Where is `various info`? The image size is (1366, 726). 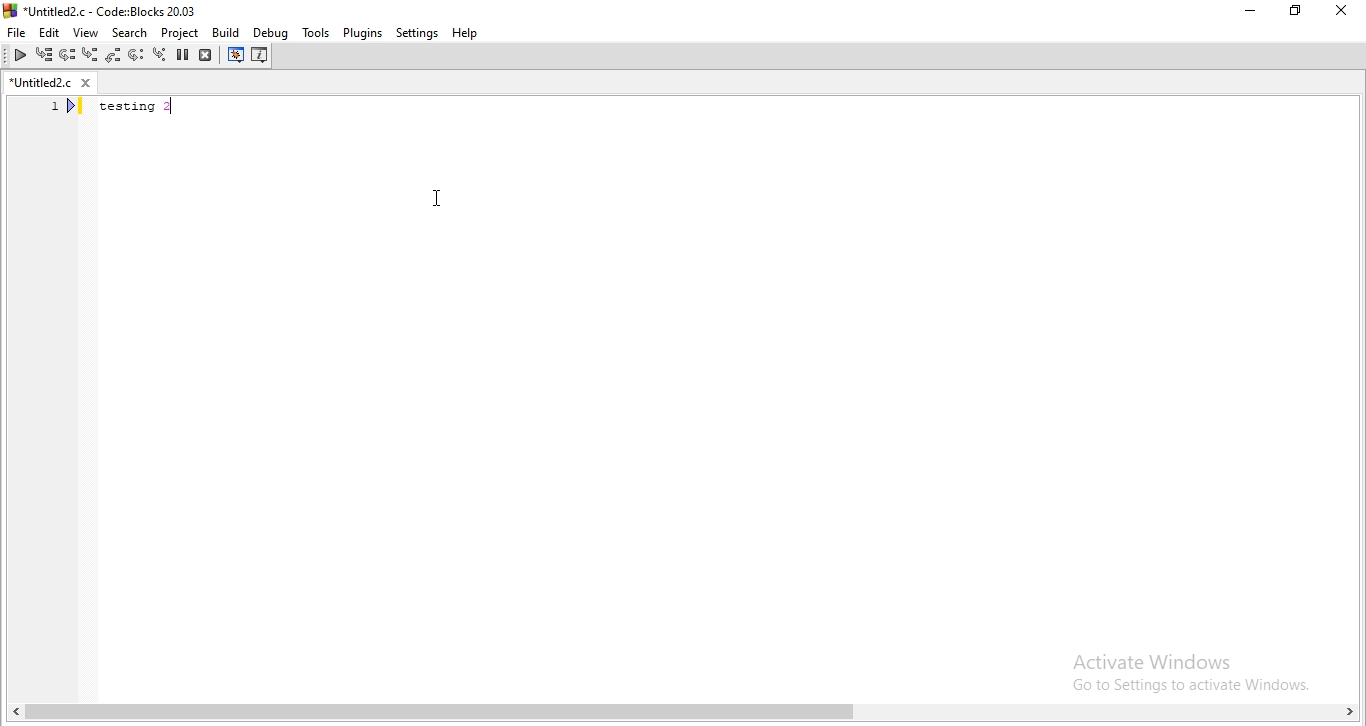 various info is located at coordinates (261, 56).